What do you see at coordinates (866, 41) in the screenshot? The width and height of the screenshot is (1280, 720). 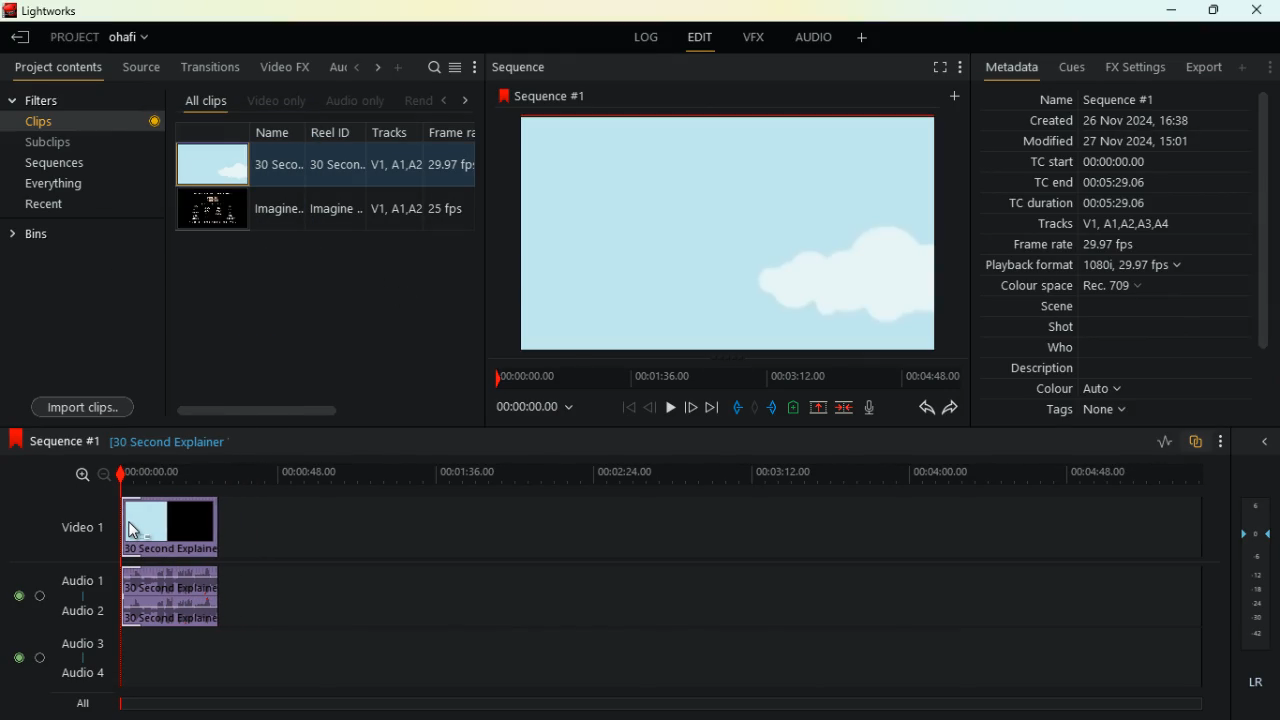 I see `add` at bounding box center [866, 41].